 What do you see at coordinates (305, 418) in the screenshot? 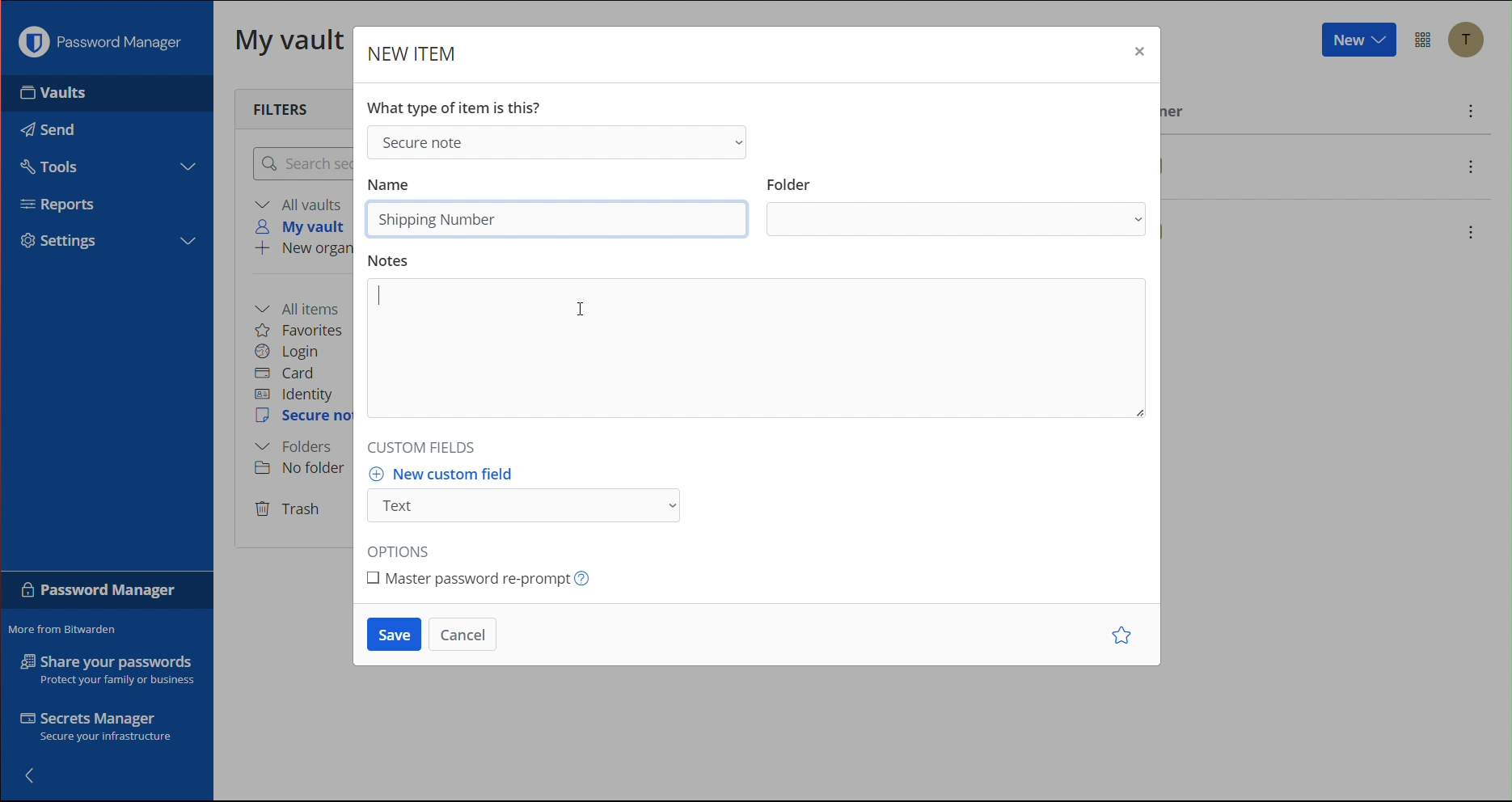
I see `Secure note` at bounding box center [305, 418].